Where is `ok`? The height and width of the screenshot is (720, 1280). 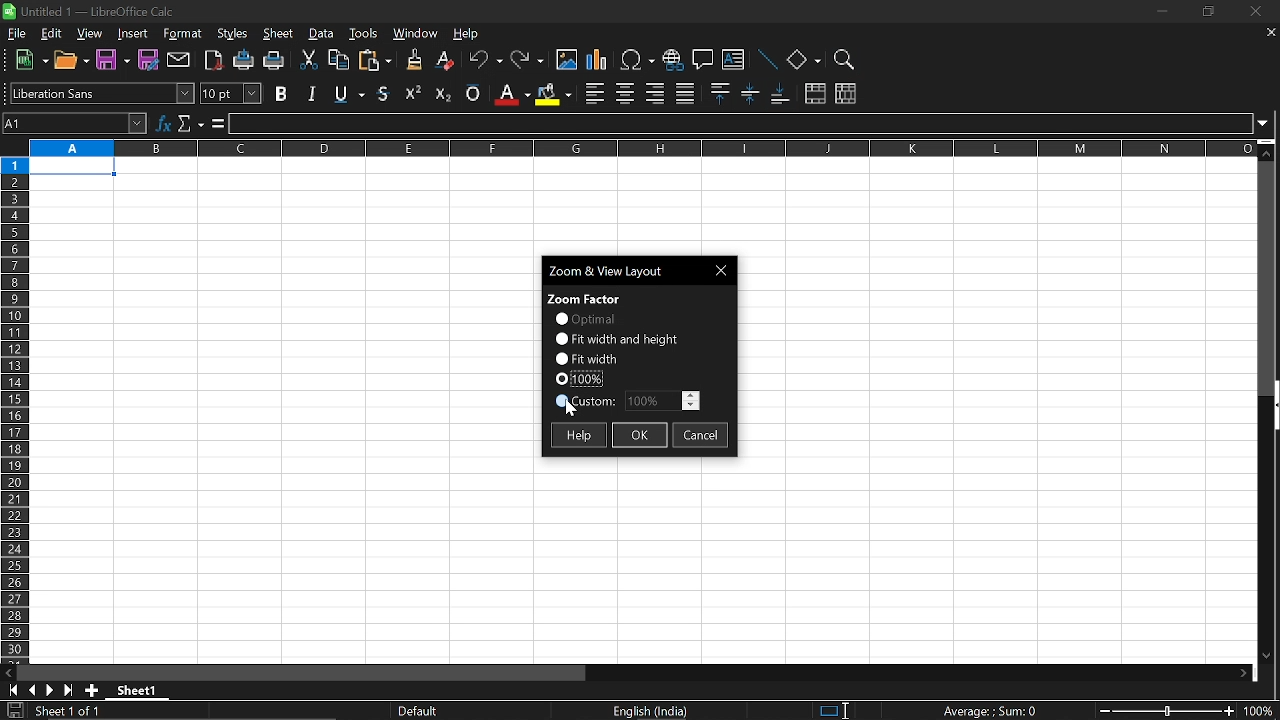 ok is located at coordinates (640, 437).